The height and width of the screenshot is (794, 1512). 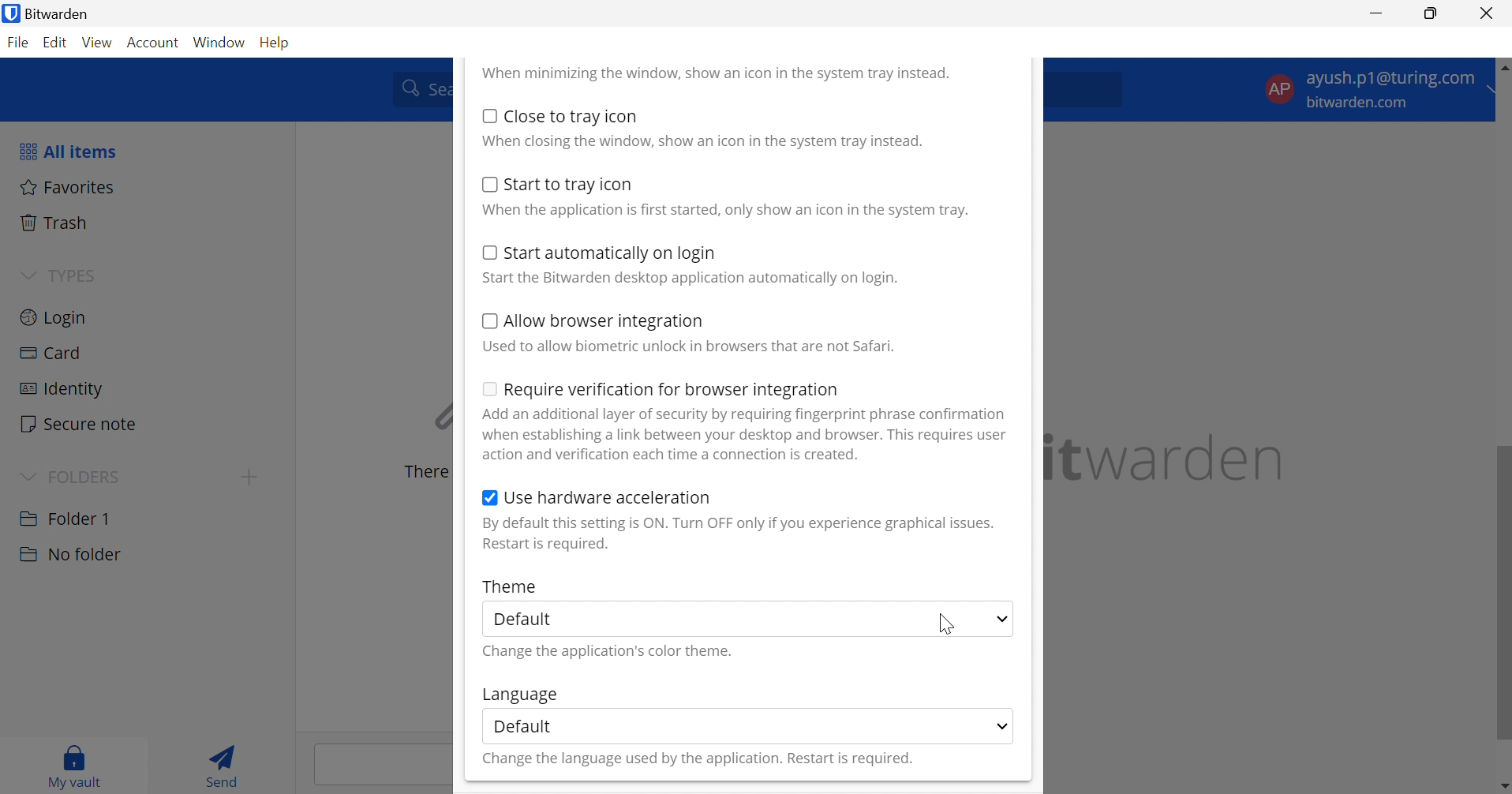 What do you see at coordinates (612, 254) in the screenshot?
I see `Start automatically on login` at bounding box center [612, 254].